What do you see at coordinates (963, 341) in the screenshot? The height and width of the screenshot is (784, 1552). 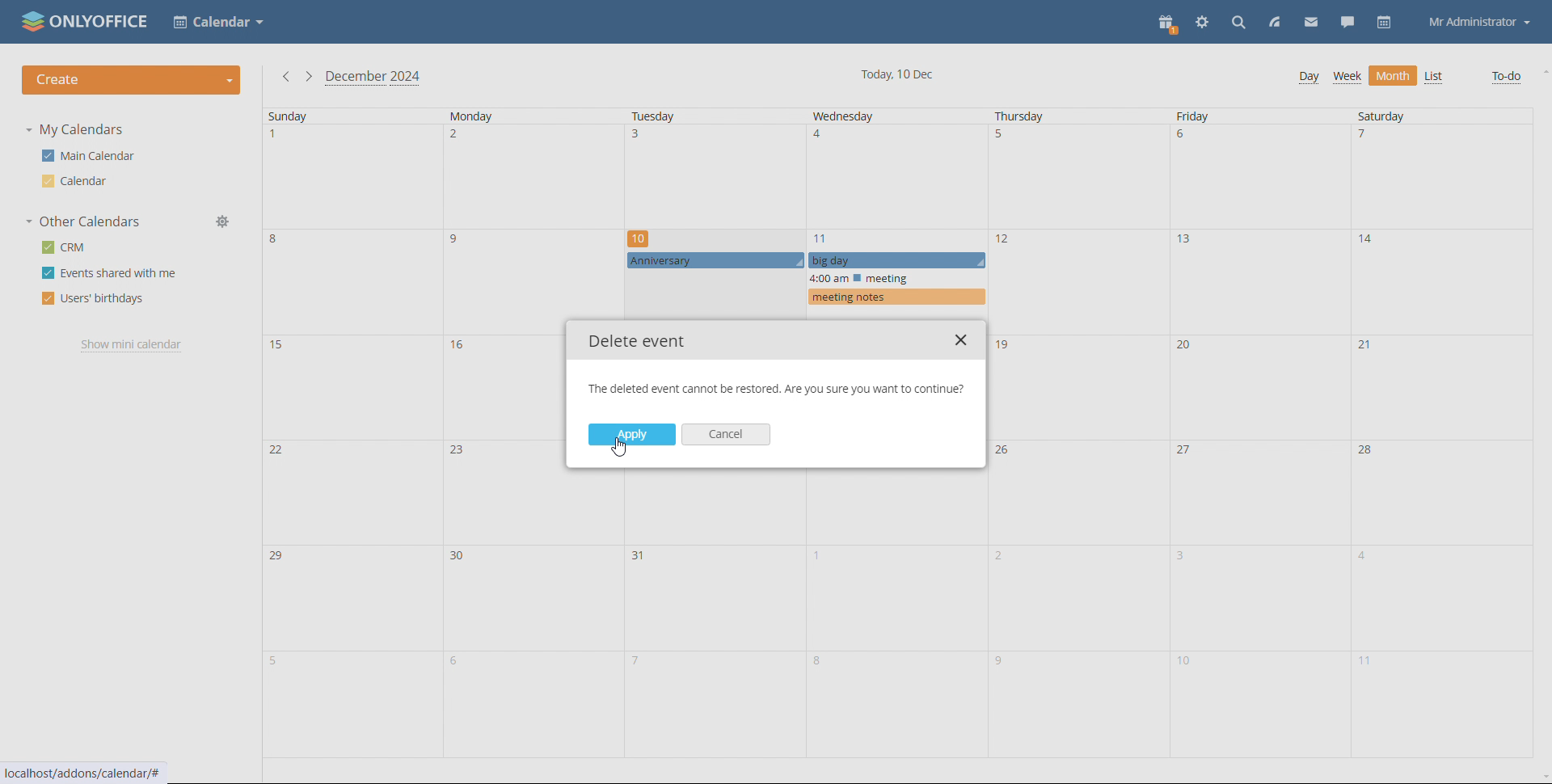 I see `close` at bounding box center [963, 341].